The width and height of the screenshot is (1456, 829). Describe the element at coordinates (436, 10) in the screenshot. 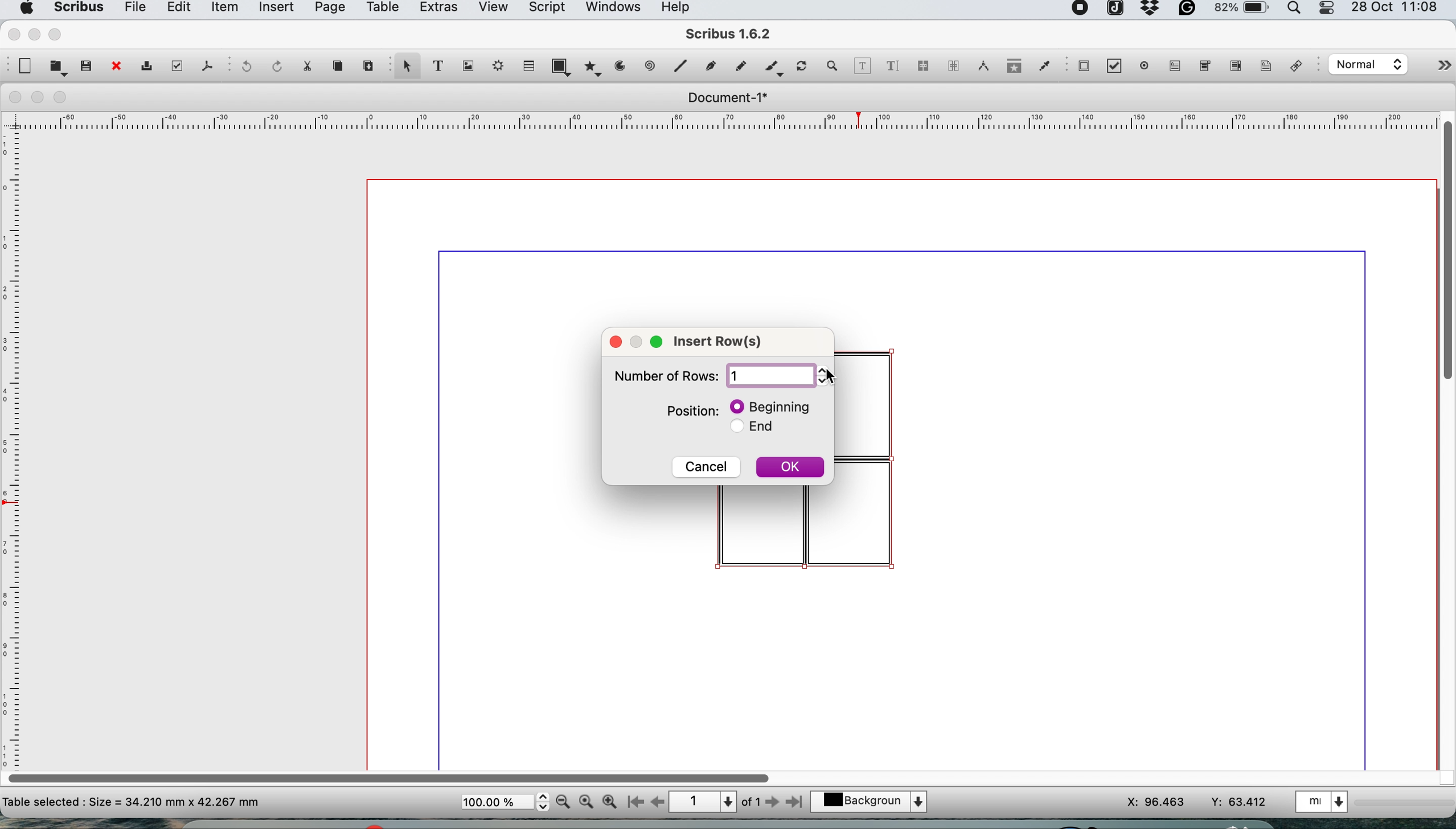

I see `extras` at that location.